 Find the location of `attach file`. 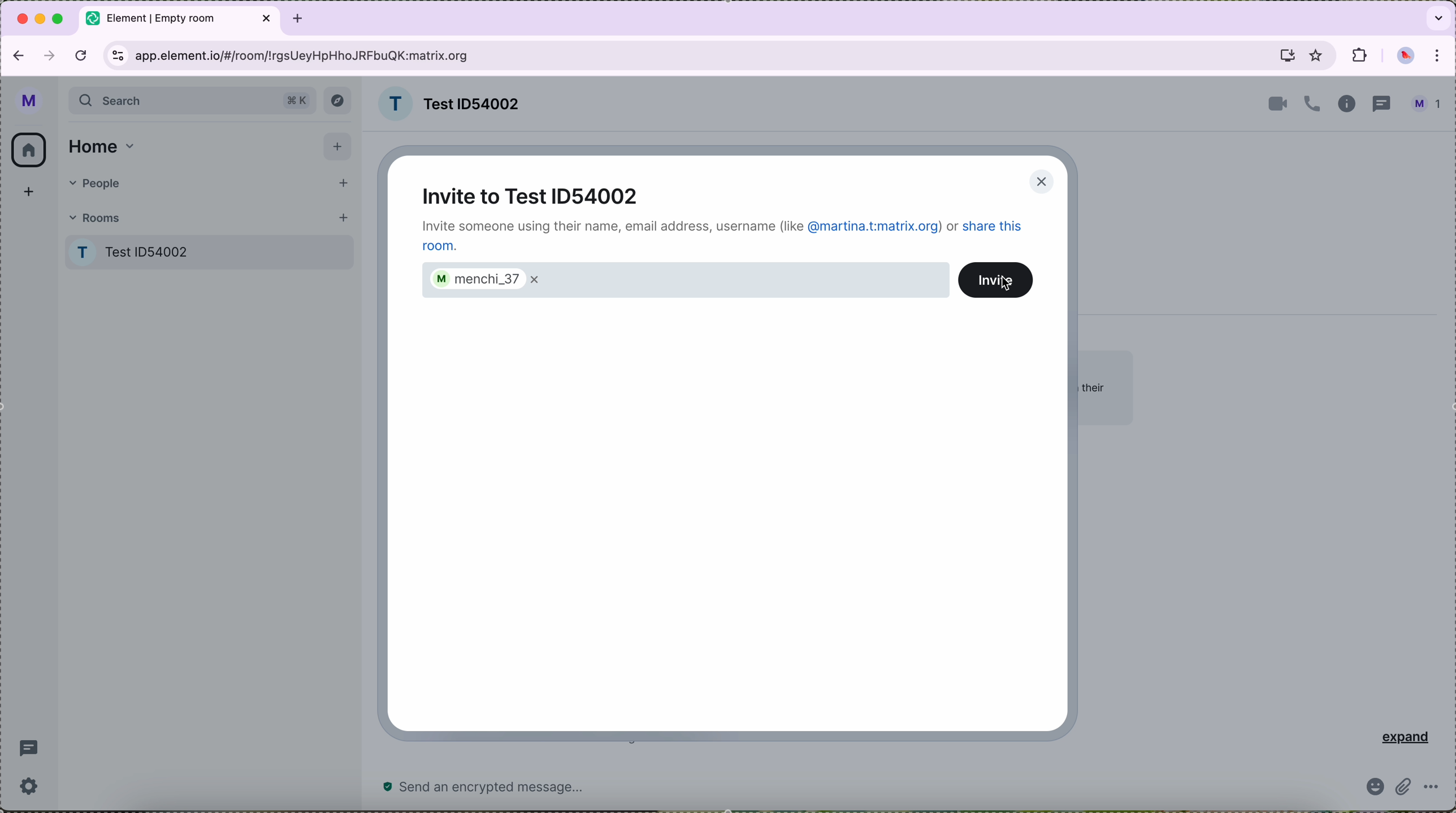

attach file is located at coordinates (1407, 790).